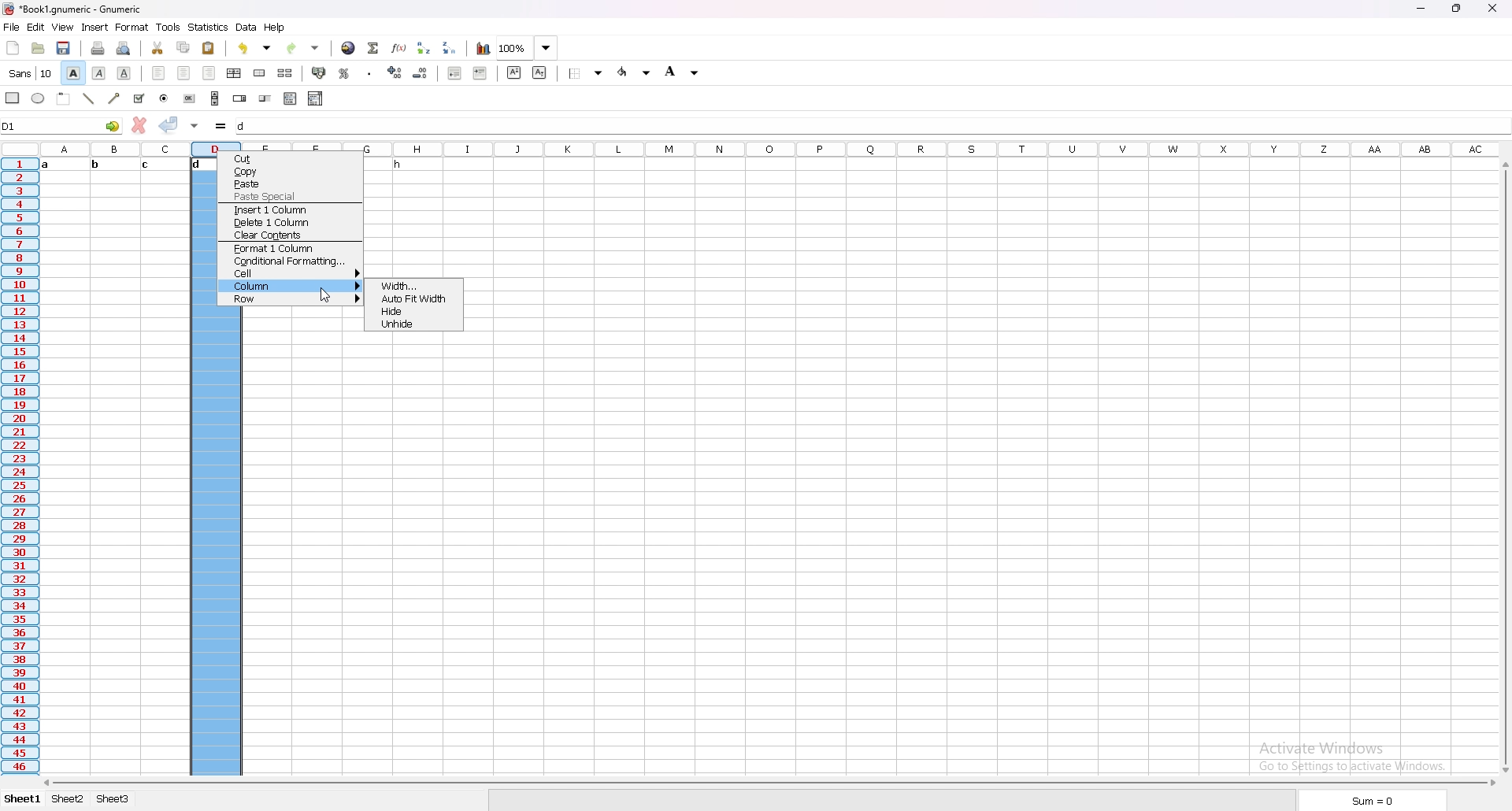 The height and width of the screenshot is (811, 1512). I want to click on view, so click(63, 27).